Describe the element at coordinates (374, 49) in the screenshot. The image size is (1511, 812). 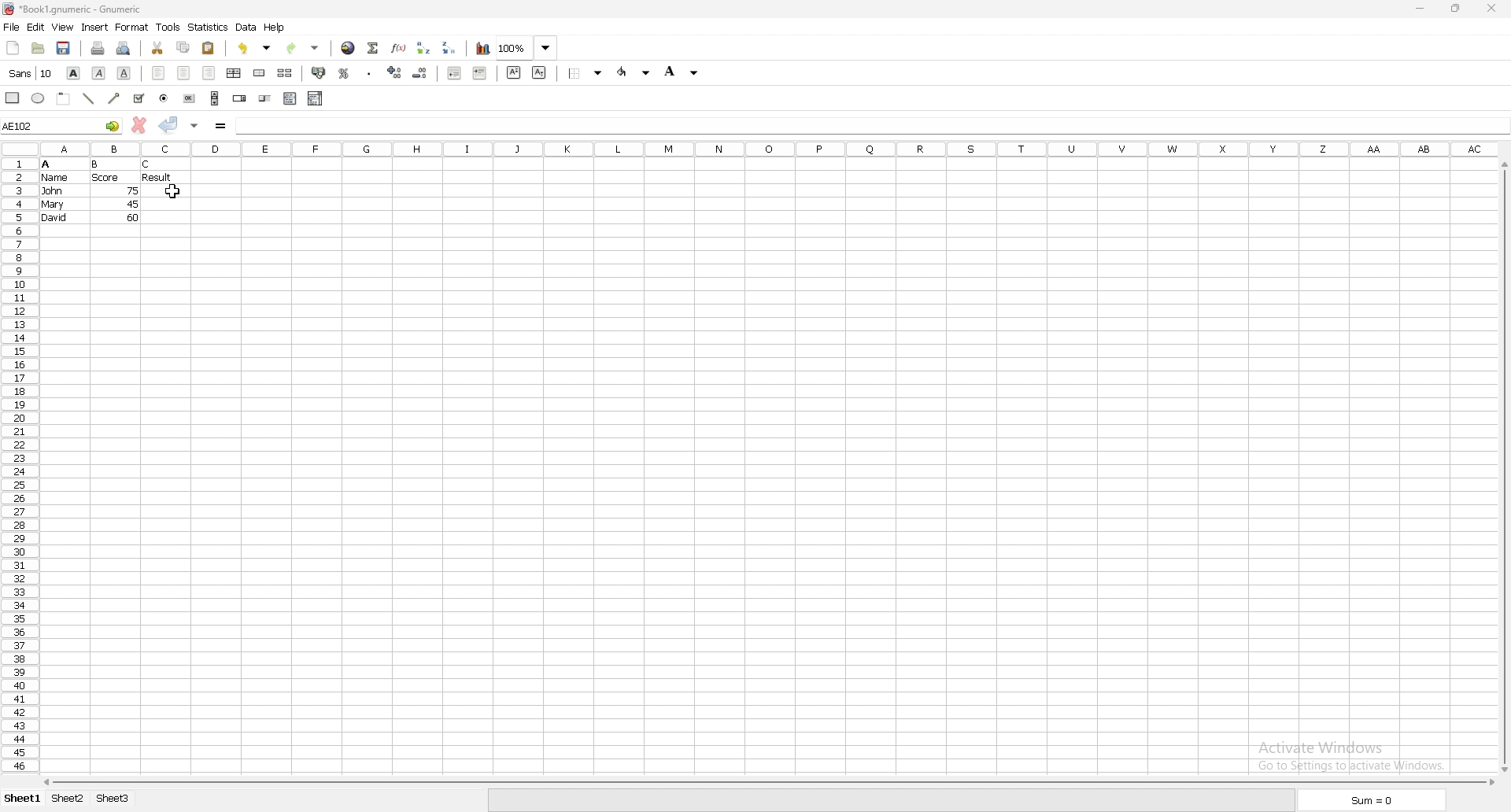
I see `summation` at that location.